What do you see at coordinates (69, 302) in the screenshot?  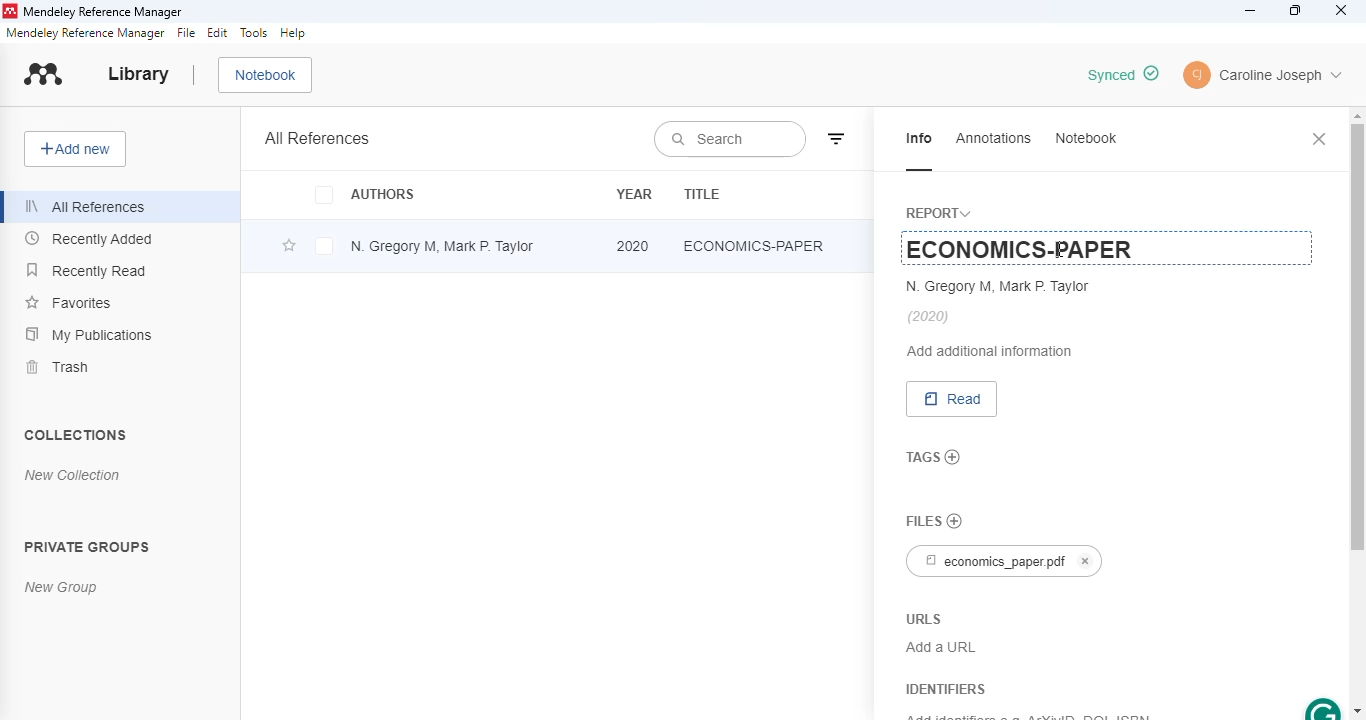 I see `favorites` at bounding box center [69, 302].